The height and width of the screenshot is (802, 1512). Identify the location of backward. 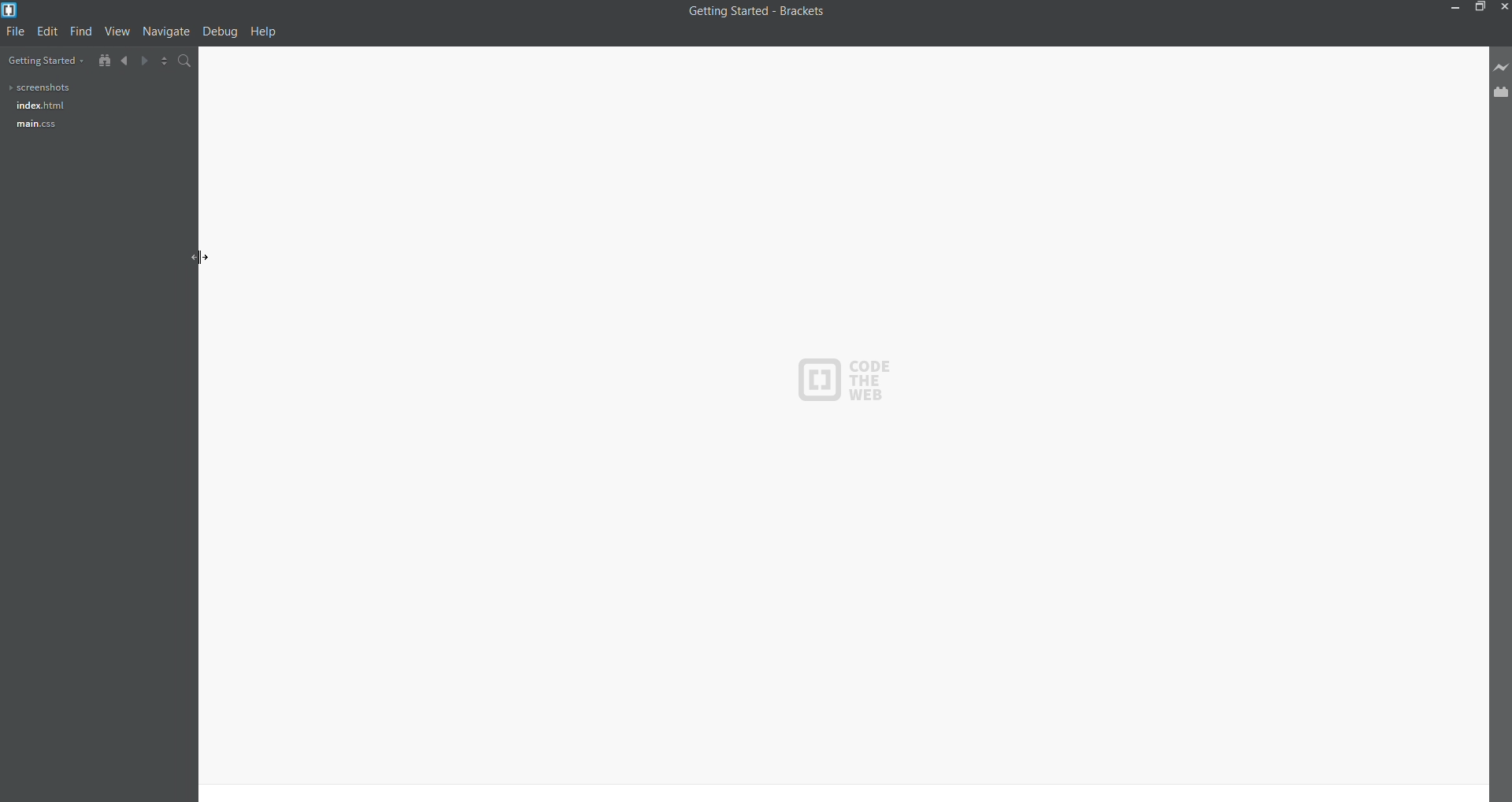
(119, 60).